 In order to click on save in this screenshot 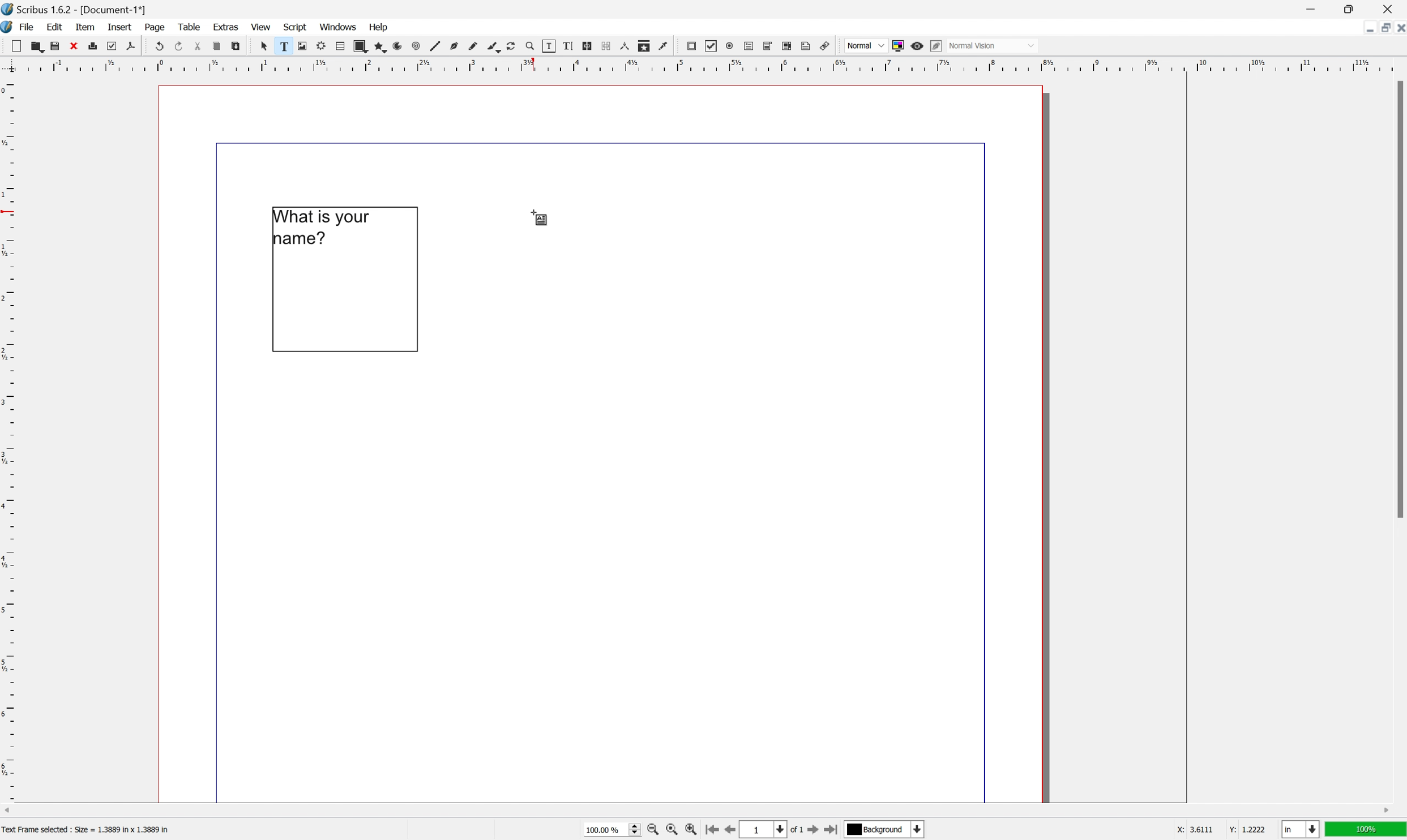, I will do `click(55, 46)`.